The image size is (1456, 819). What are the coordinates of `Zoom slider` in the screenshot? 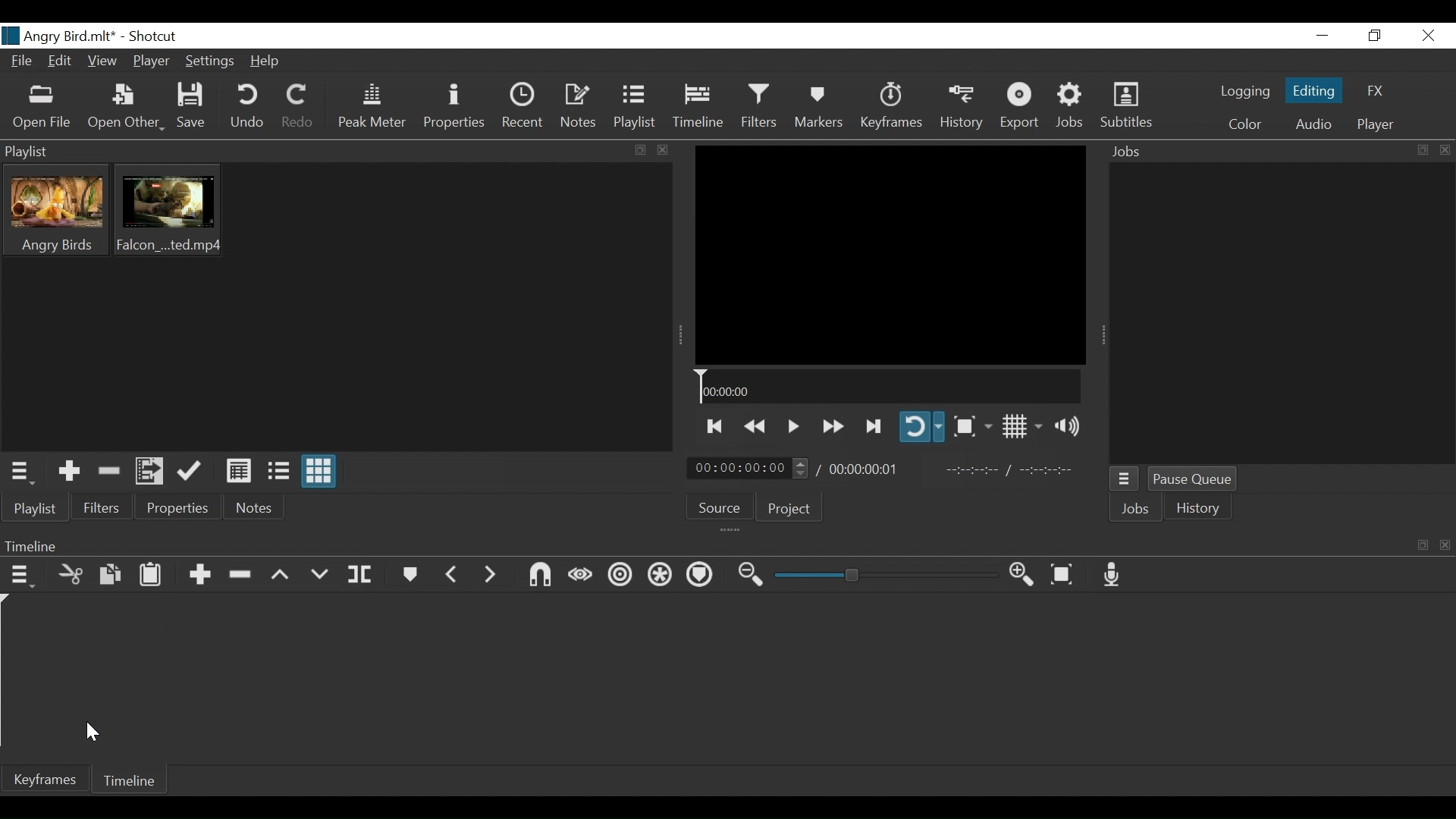 It's located at (885, 575).